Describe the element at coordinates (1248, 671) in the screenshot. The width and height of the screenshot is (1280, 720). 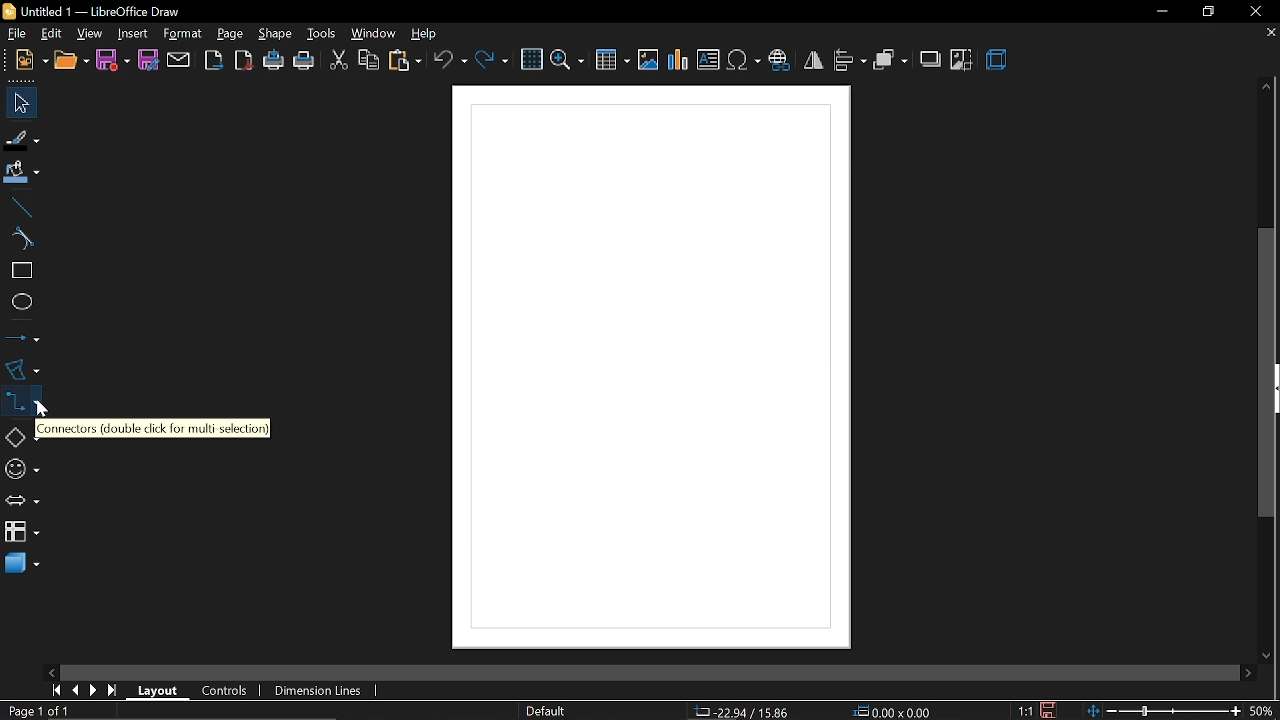
I see `move right` at that location.